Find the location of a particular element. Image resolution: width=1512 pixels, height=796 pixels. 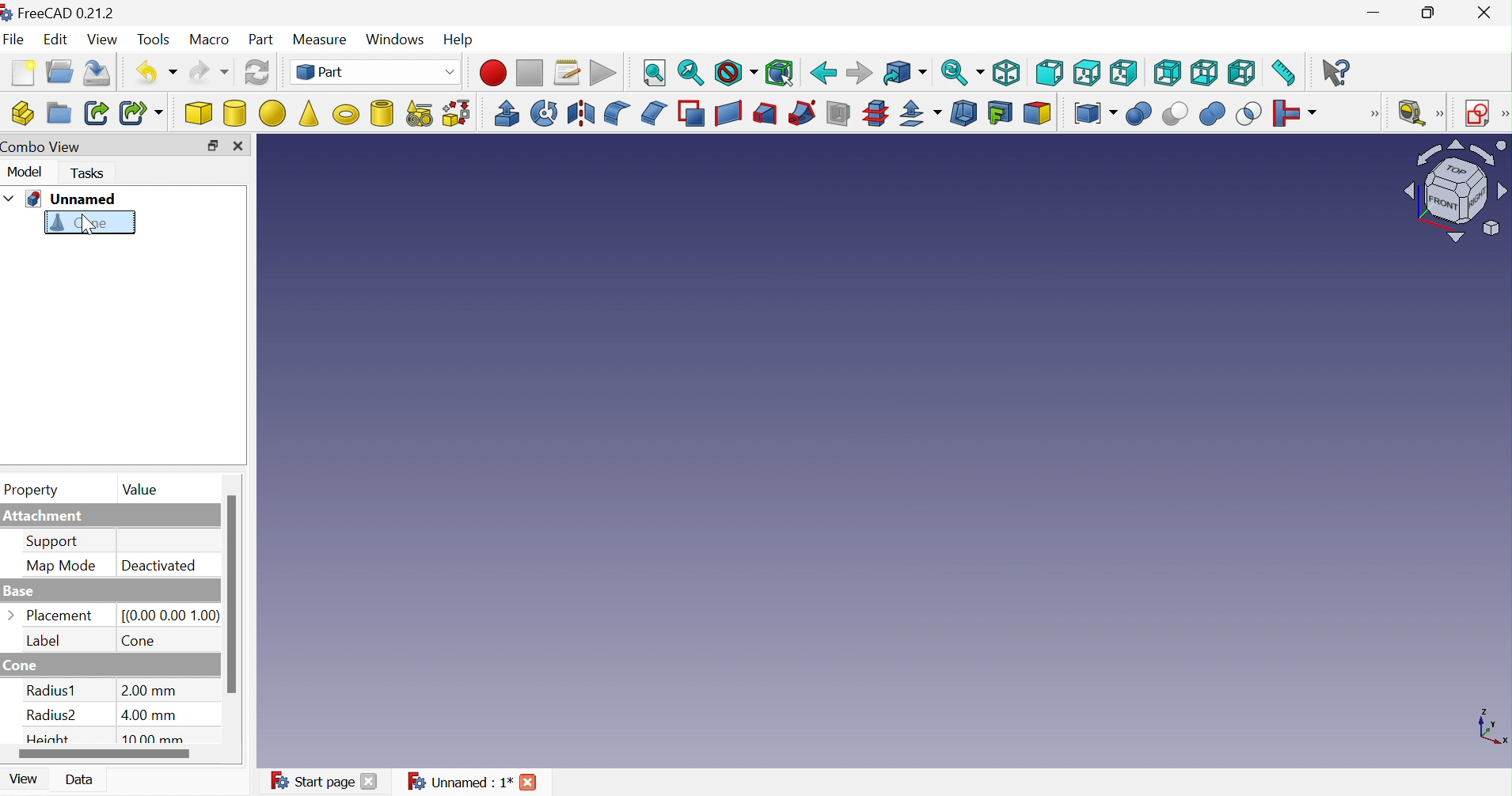

Map mode is located at coordinates (62, 566).